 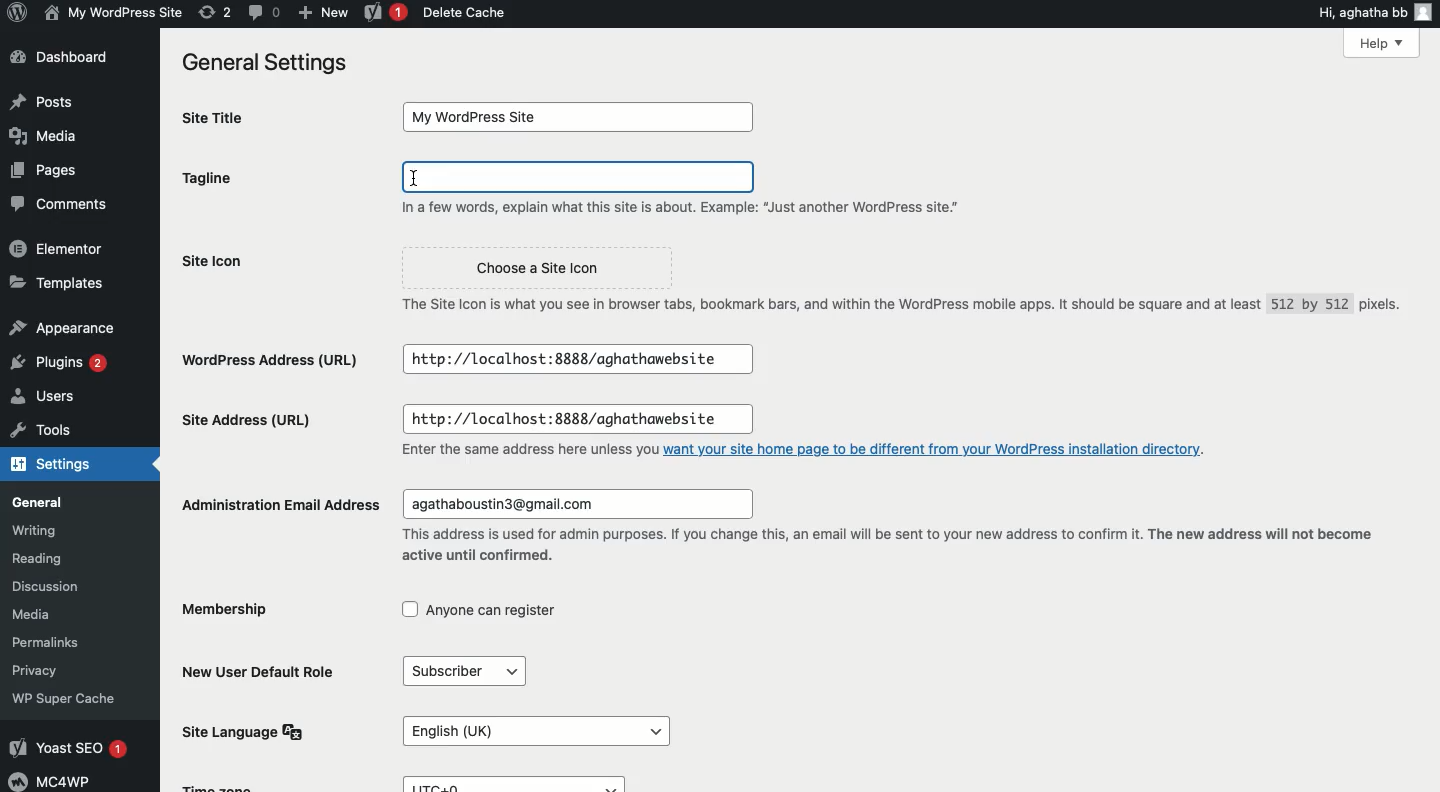 What do you see at coordinates (62, 246) in the screenshot?
I see `Elementor` at bounding box center [62, 246].